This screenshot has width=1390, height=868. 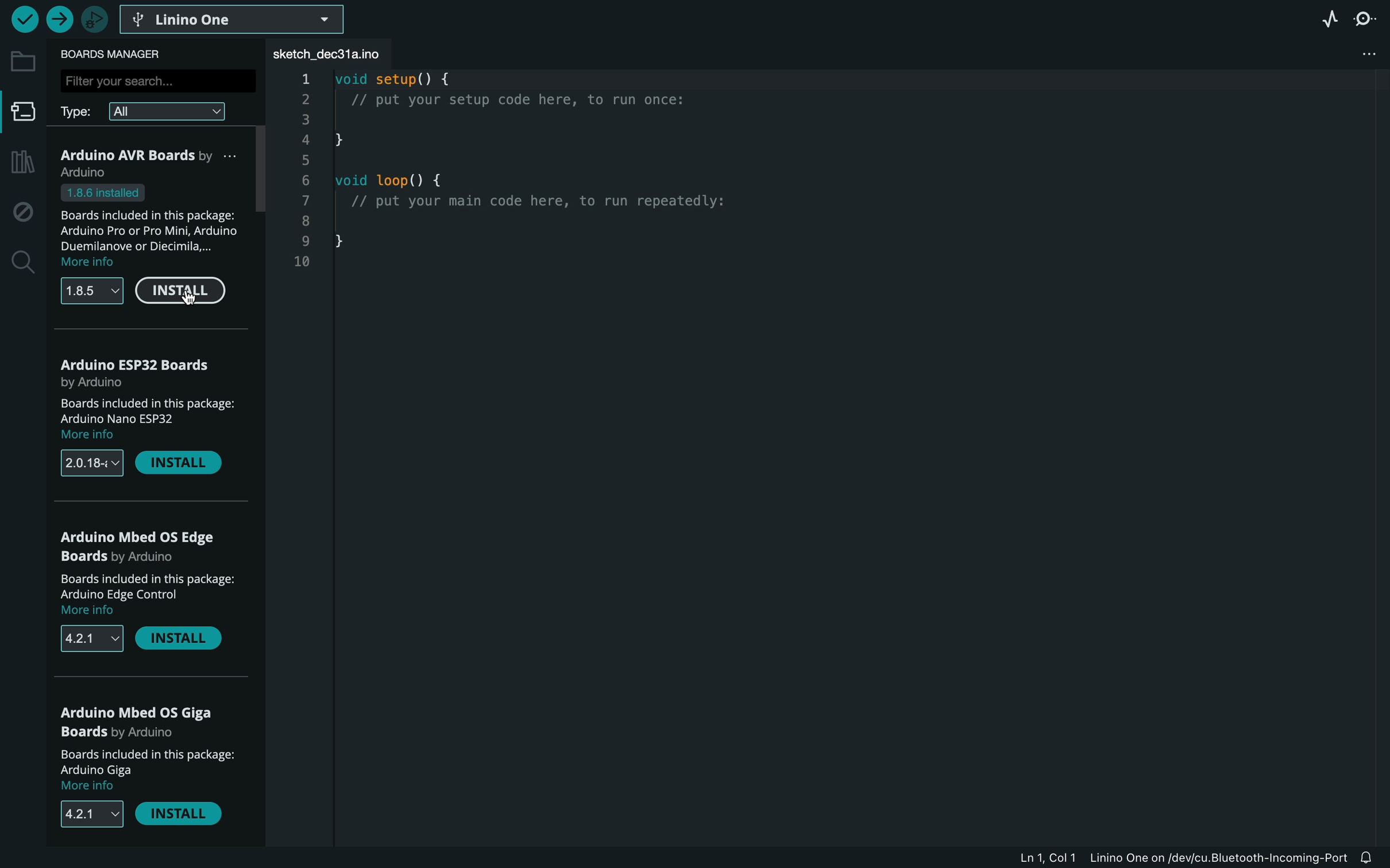 I want to click on upload, so click(x=59, y=20).